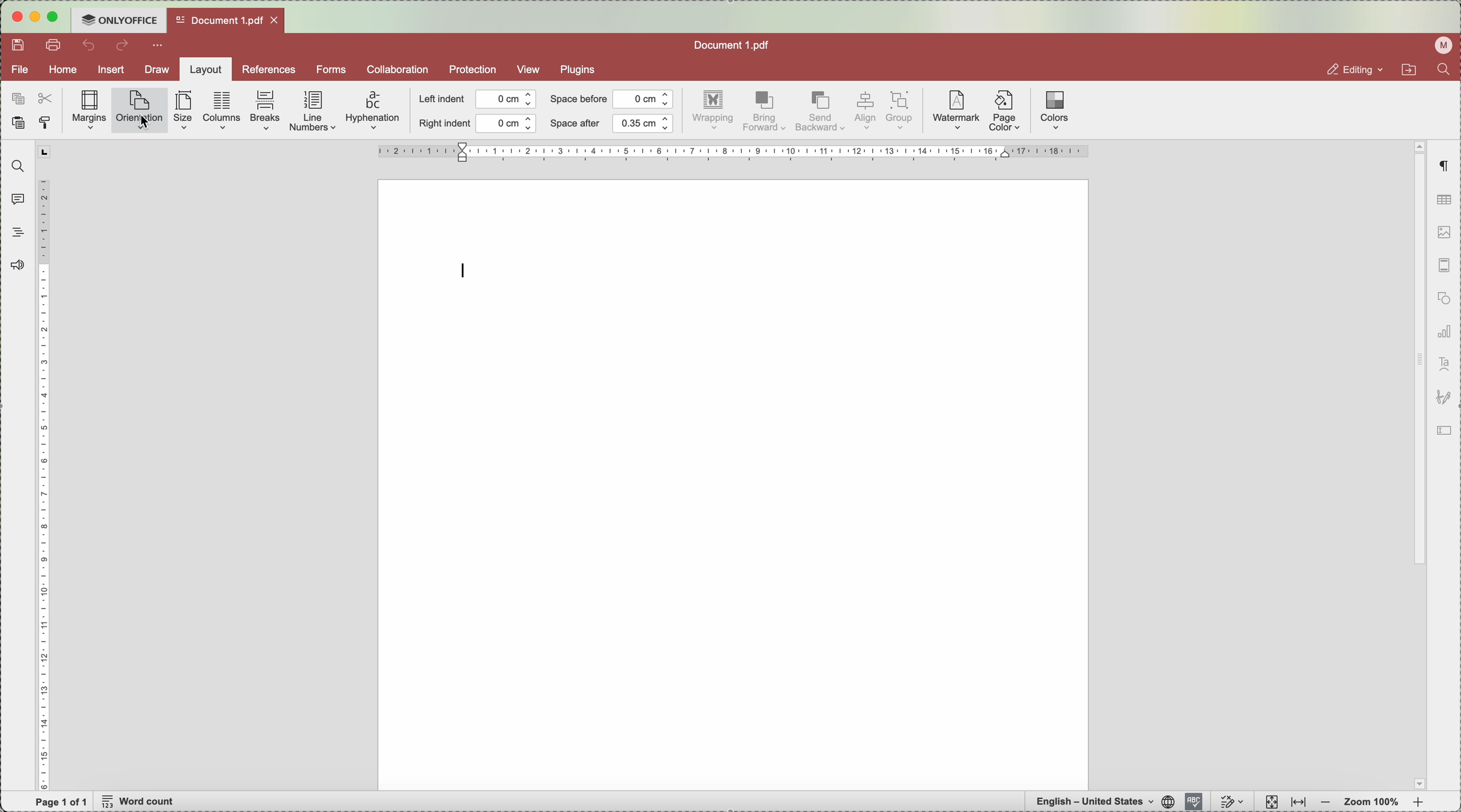  What do you see at coordinates (1416, 783) in the screenshot?
I see `page dropdown` at bounding box center [1416, 783].